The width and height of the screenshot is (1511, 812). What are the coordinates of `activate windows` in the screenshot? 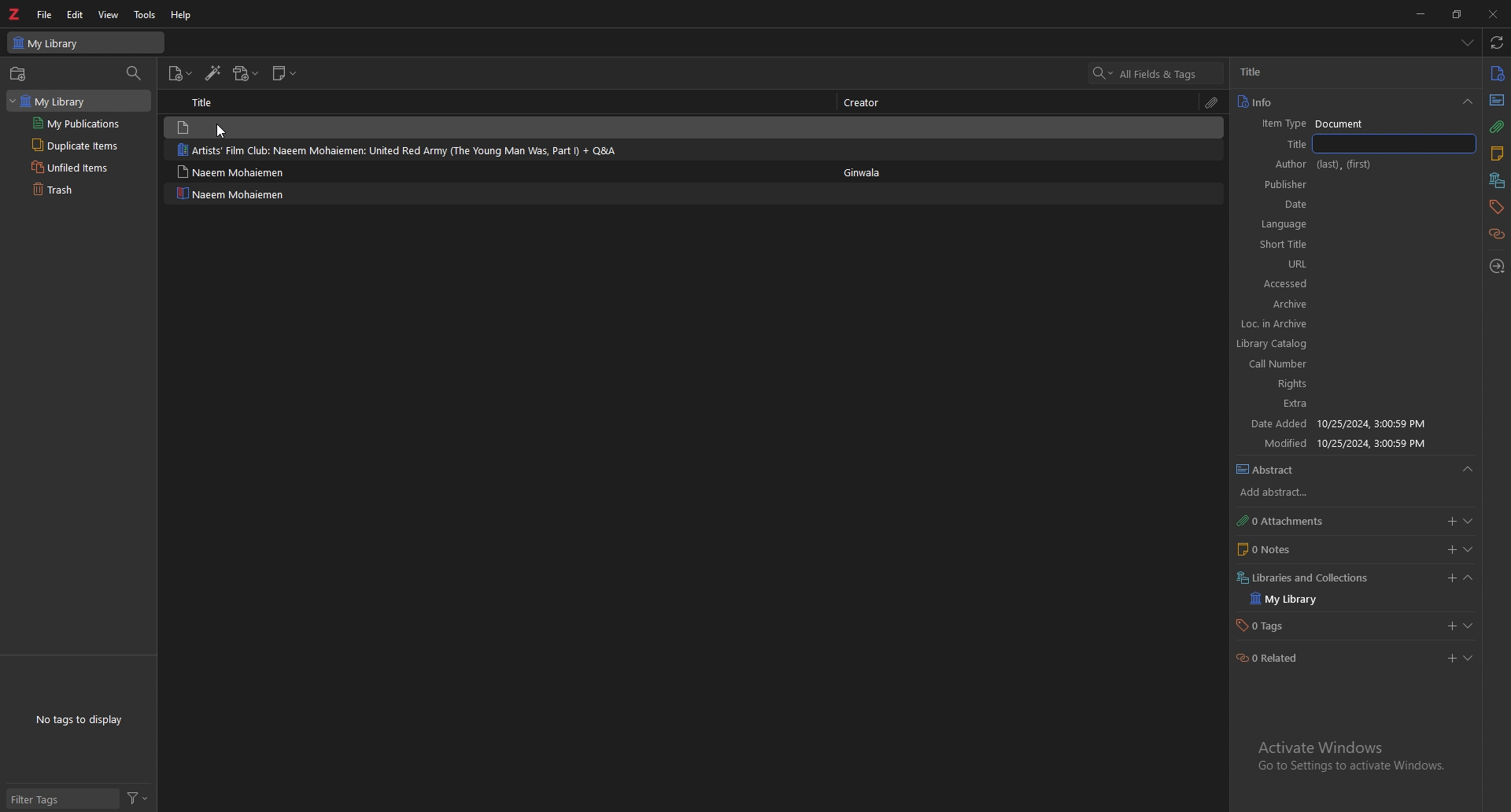 It's located at (1348, 758).